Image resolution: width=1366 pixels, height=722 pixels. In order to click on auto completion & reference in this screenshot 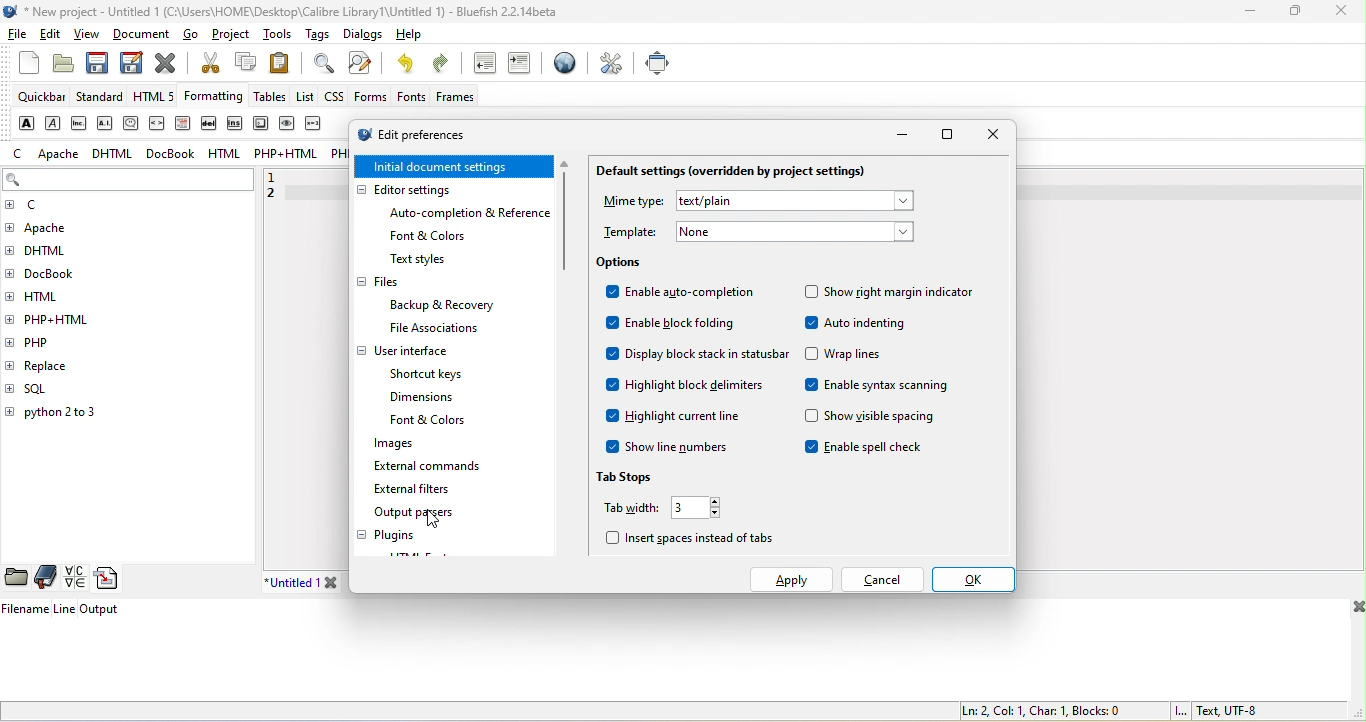, I will do `click(474, 213)`.